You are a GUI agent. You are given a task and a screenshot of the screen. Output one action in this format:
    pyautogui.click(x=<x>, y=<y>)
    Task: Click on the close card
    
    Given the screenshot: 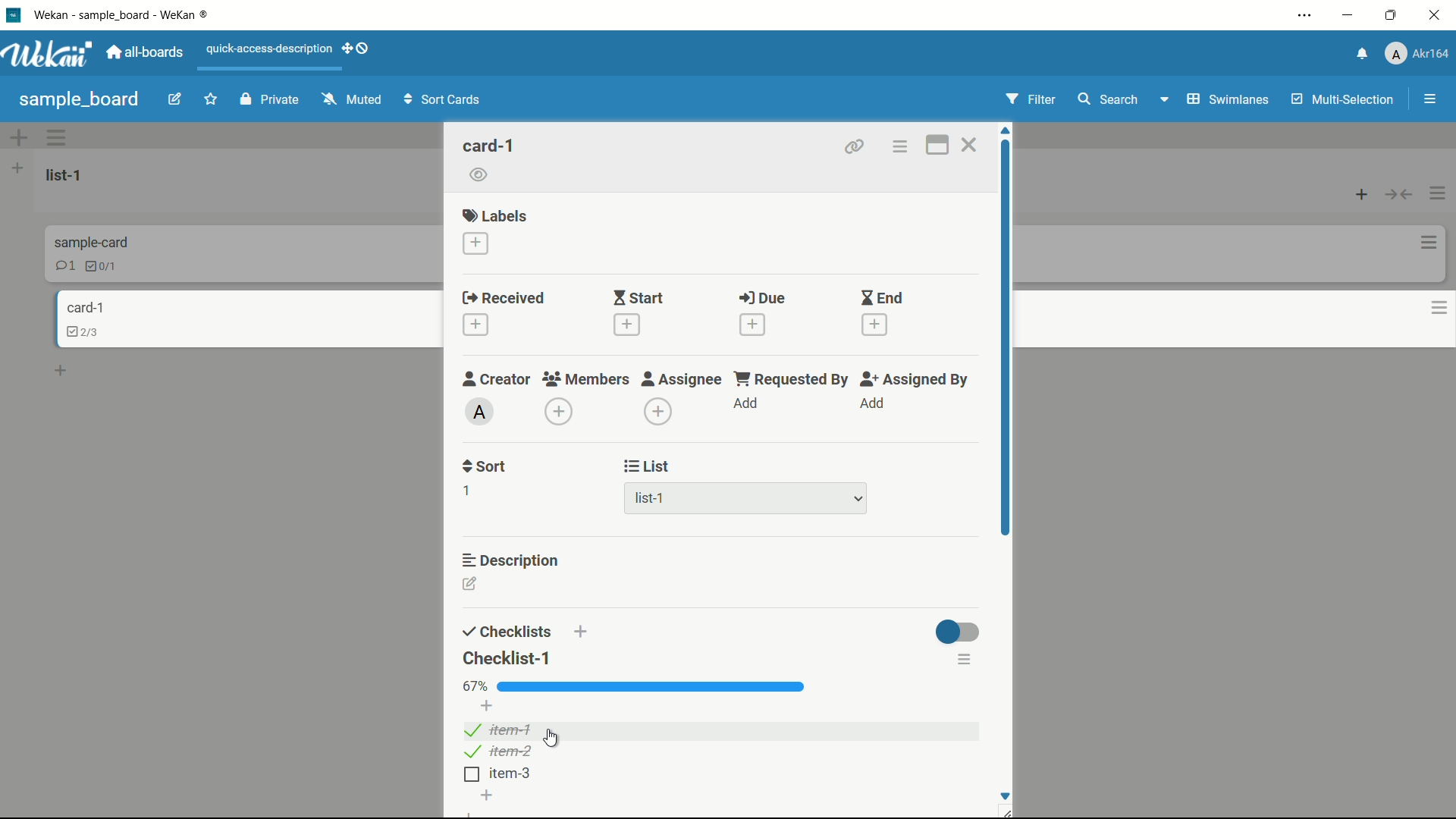 What is the action you would take?
    pyautogui.click(x=971, y=147)
    